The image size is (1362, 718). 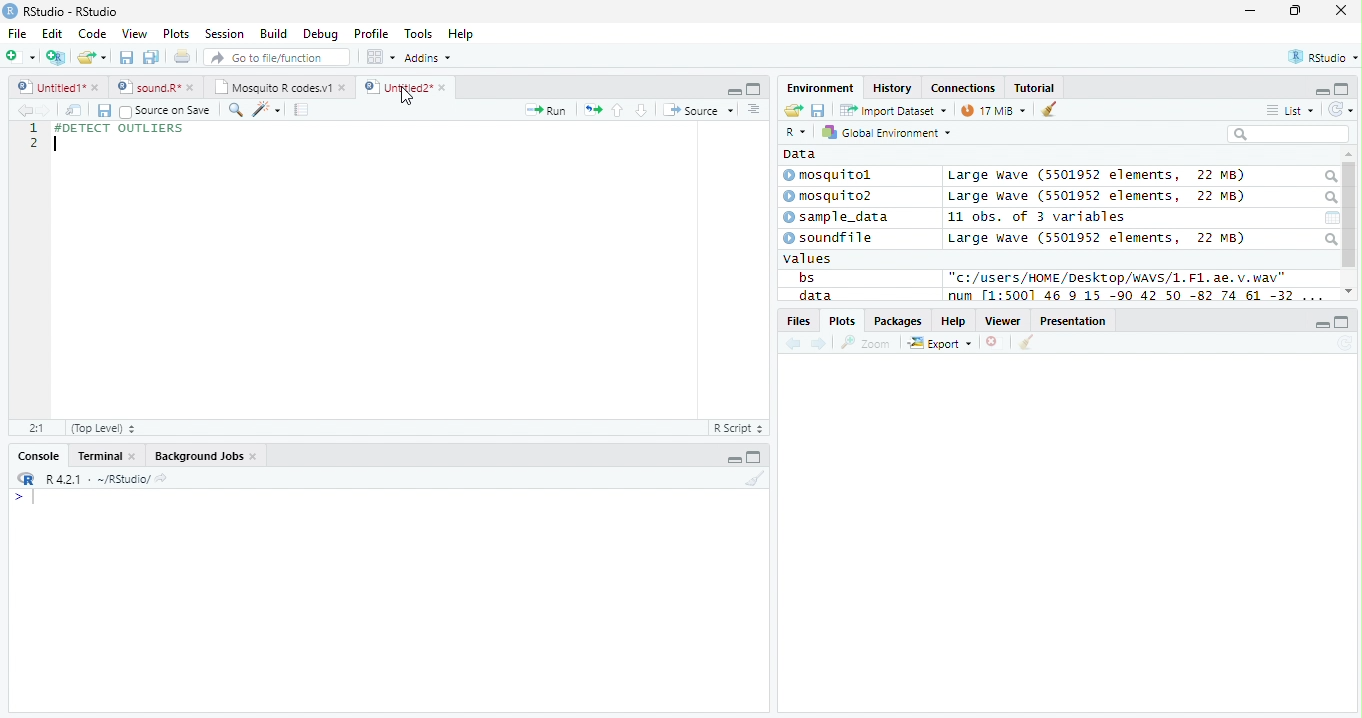 I want to click on scroll up, so click(x=1349, y=155).